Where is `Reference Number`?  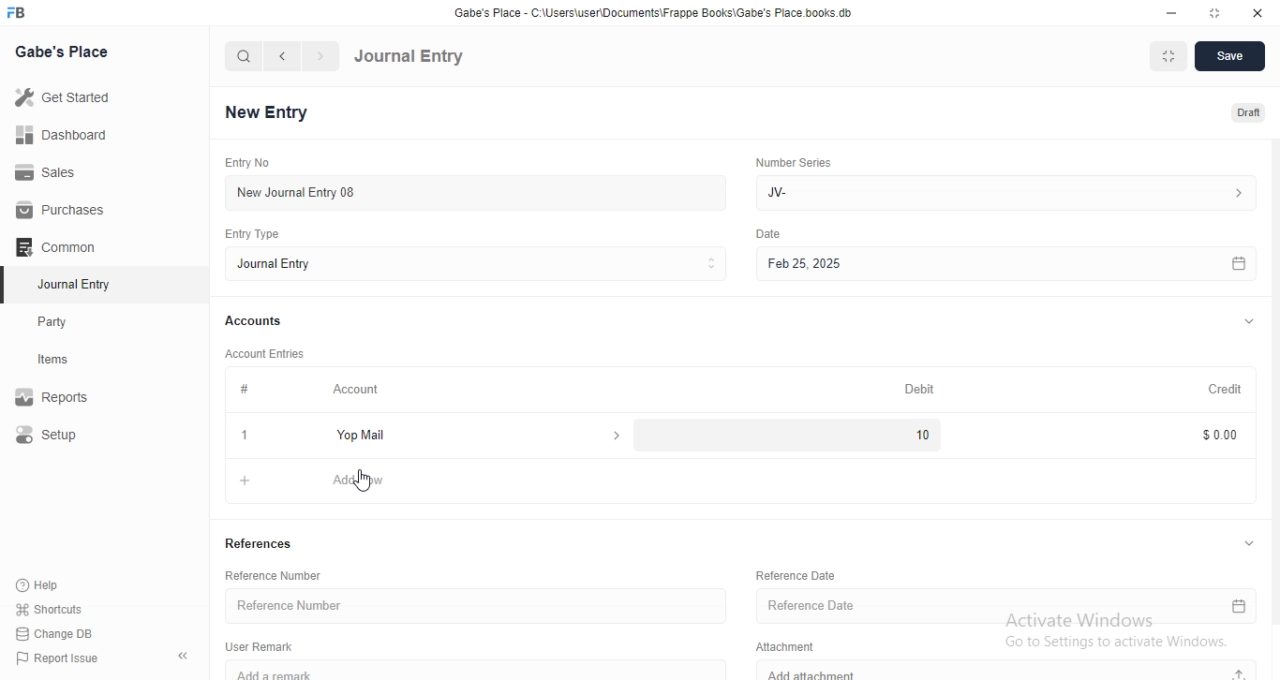 Reference Number is located at coordinates (471, 606).